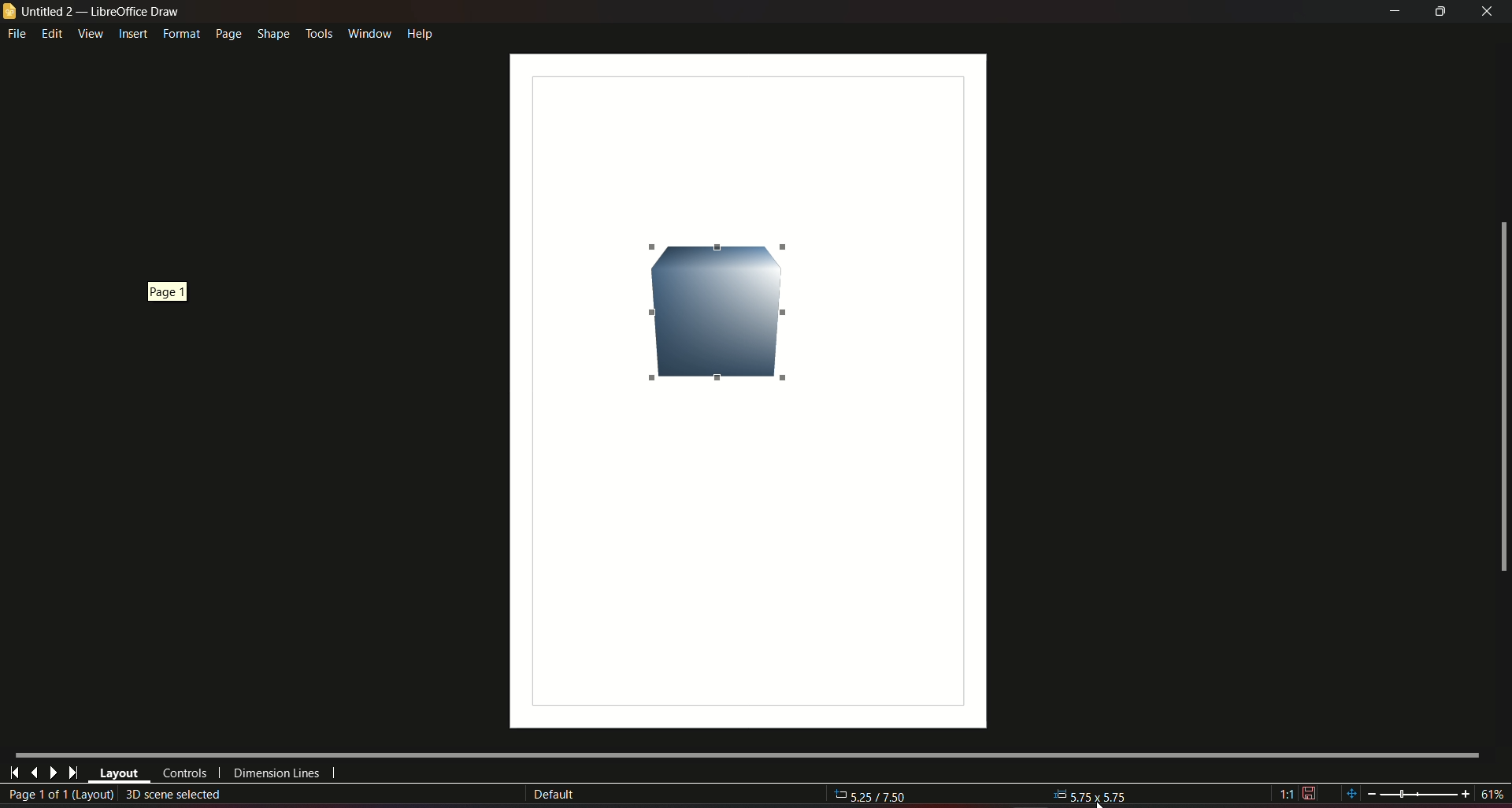 The image size is (1512, 808). Describe the element at coordinates (227, 34) in the screenshot. I see `page` at that location.